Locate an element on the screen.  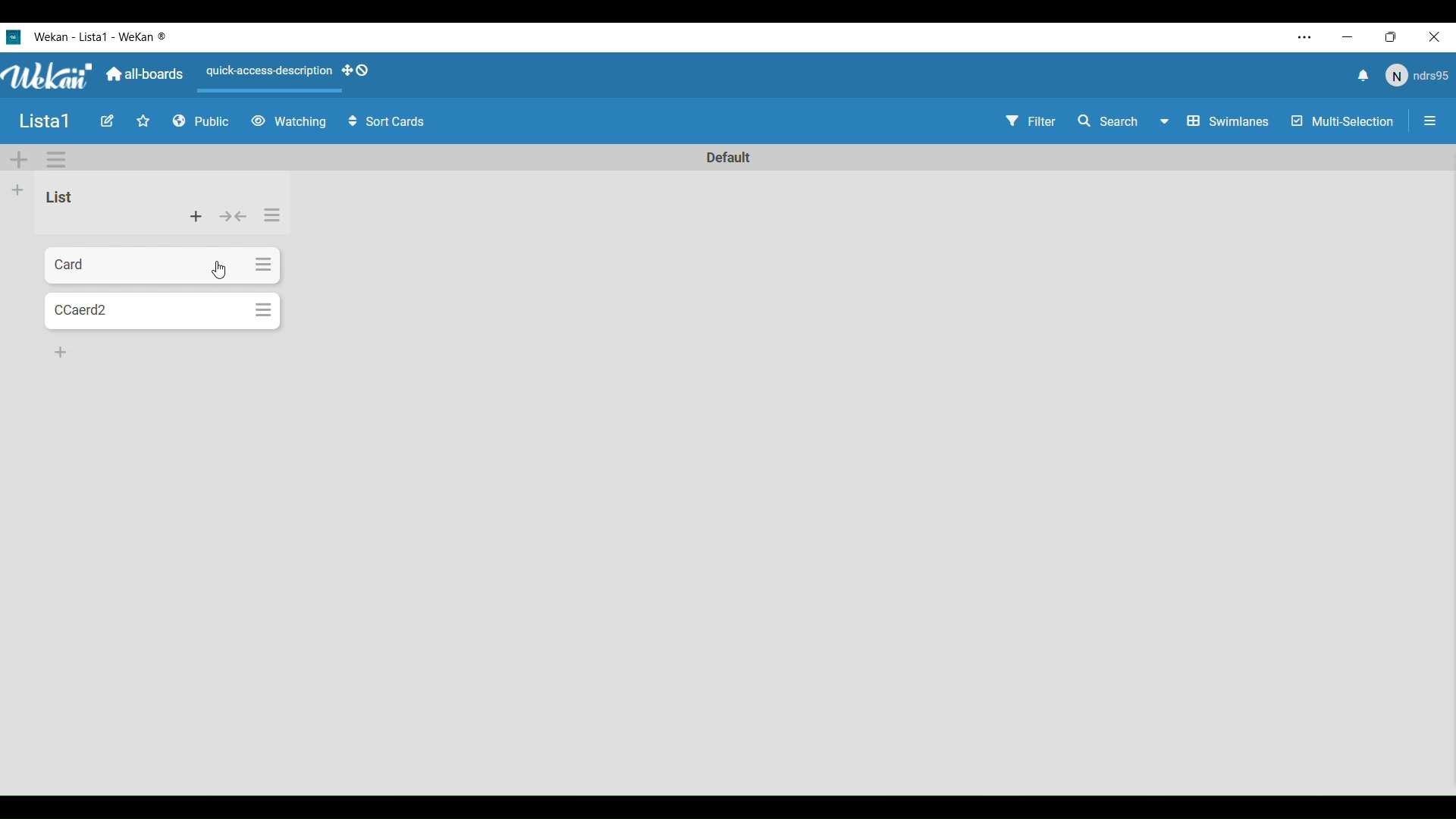
Multi Selection is located at coordinates (1341, 122).